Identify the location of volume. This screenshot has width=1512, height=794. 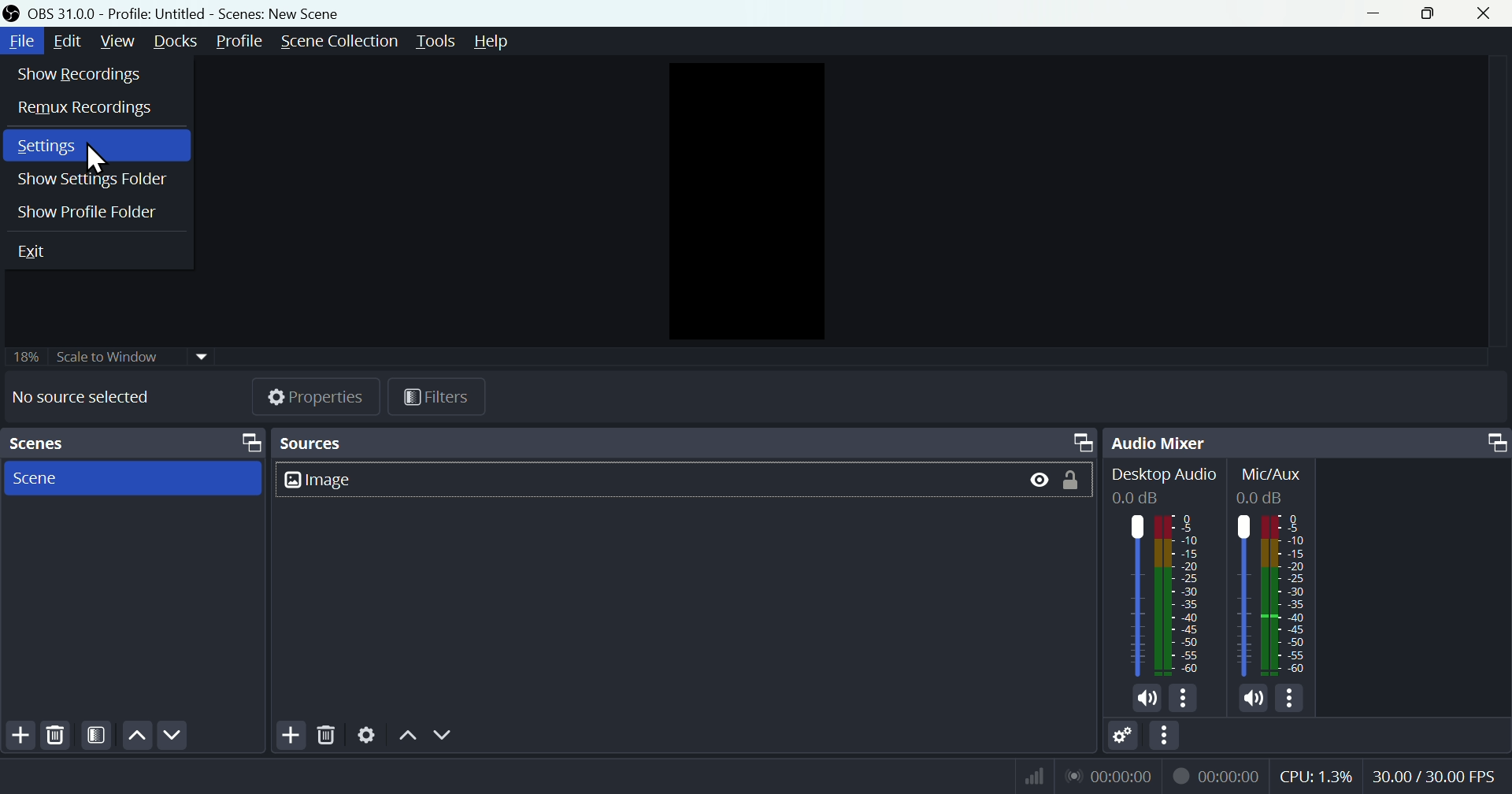
(1146, 699).